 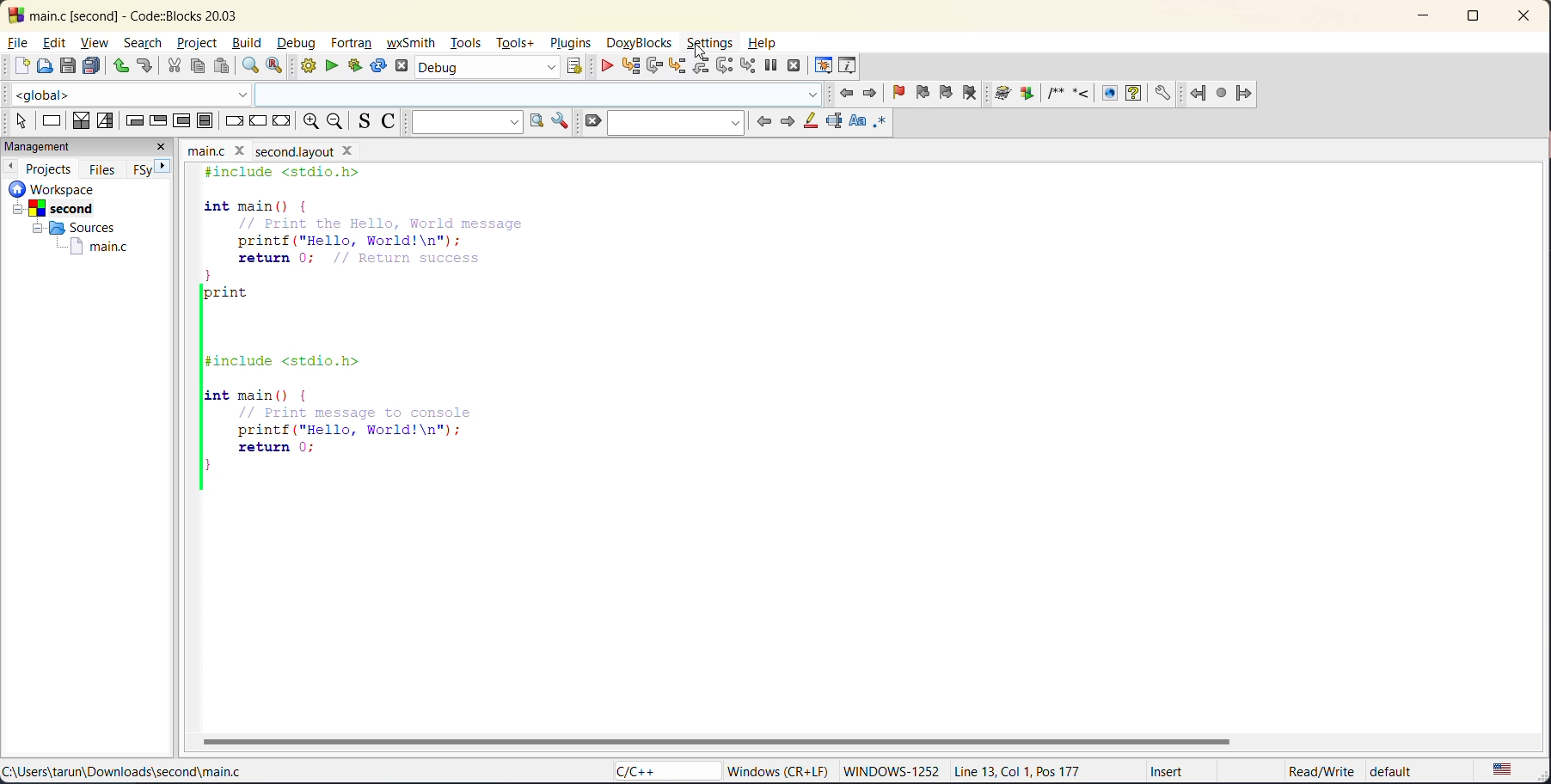 What do you see at coordinates (1027, 769) in the screenshot?
I see `Line 13, Col 1, Pos 177` at bounding box center [1027, 769].